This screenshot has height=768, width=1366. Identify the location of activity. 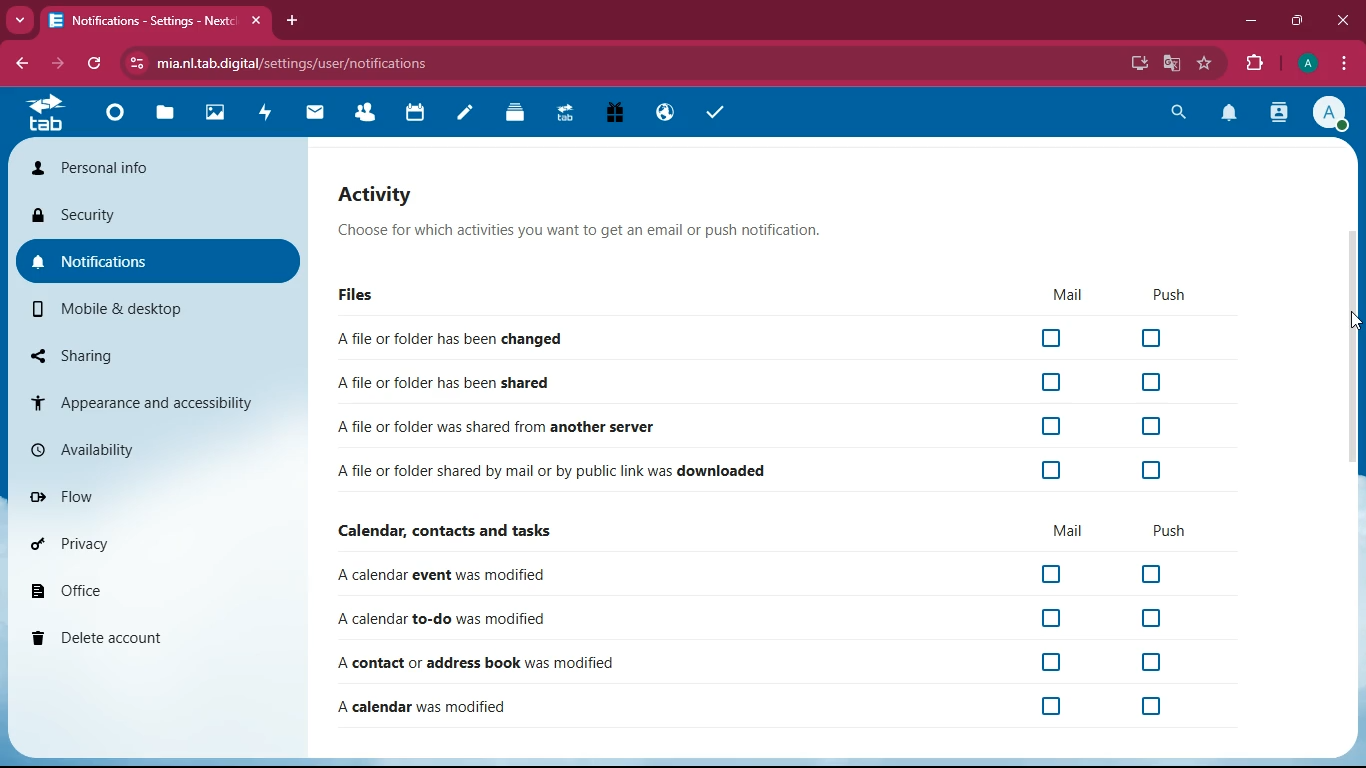
(266, 115).